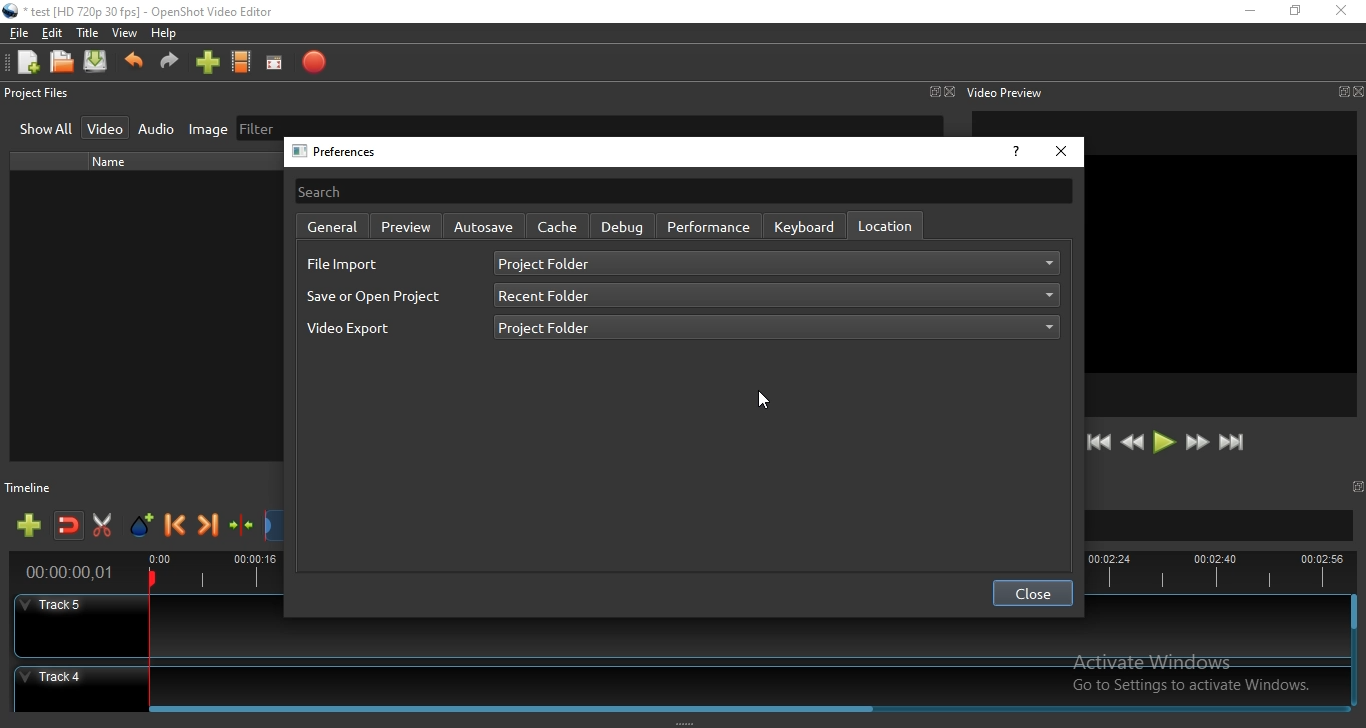  I want to click on close, so click(1032, 594).